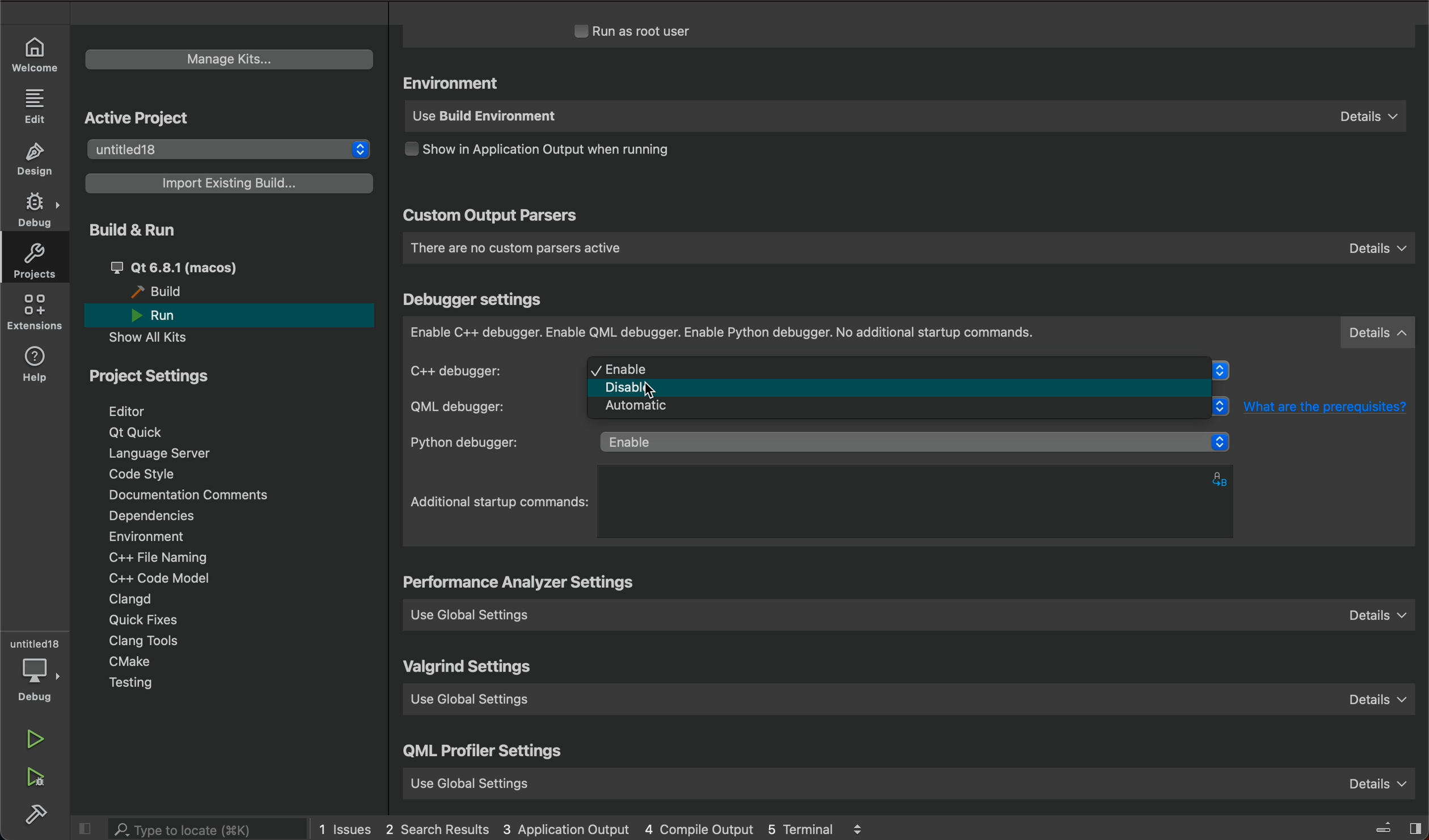  Describe the element at coordinates (90, 829) in the screenshot. I see `close slidebar` at that location.